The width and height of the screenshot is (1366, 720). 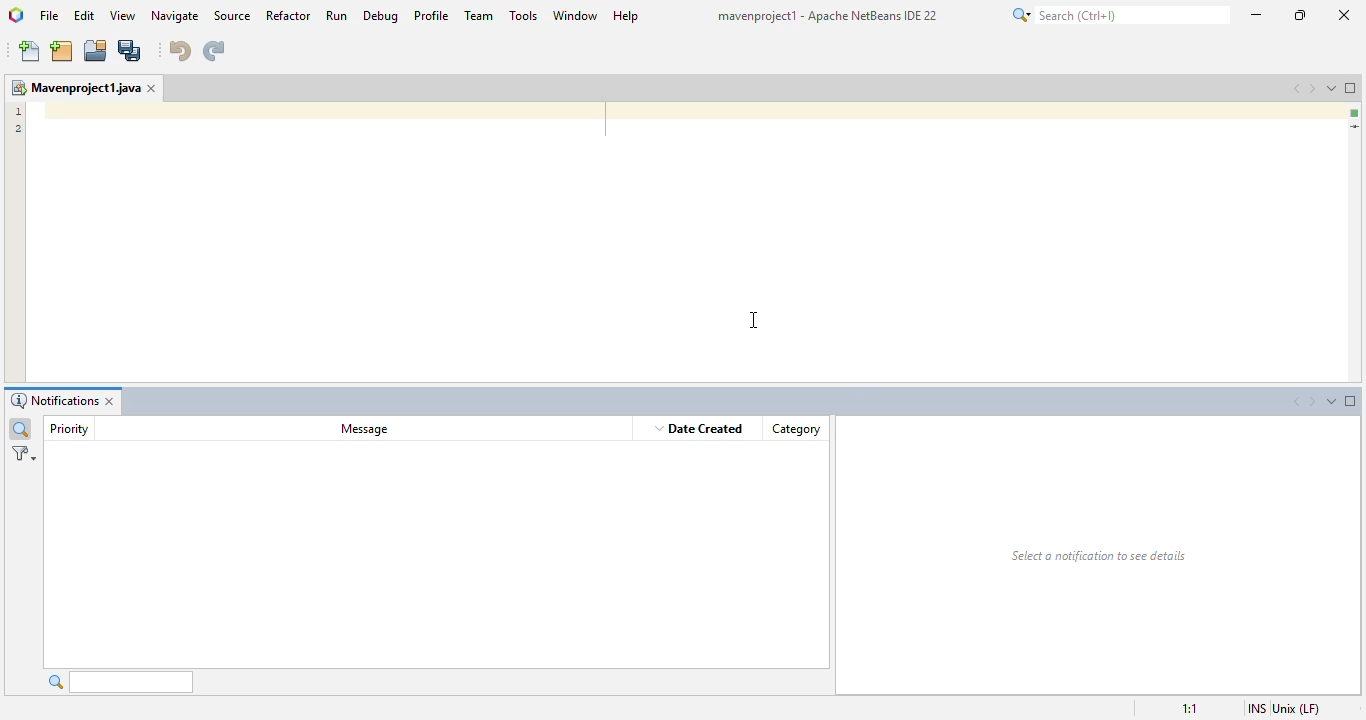 What do you see at coordinates (114, 402) in the screenshot?
I see `close window` at bounding box center [114, 402].